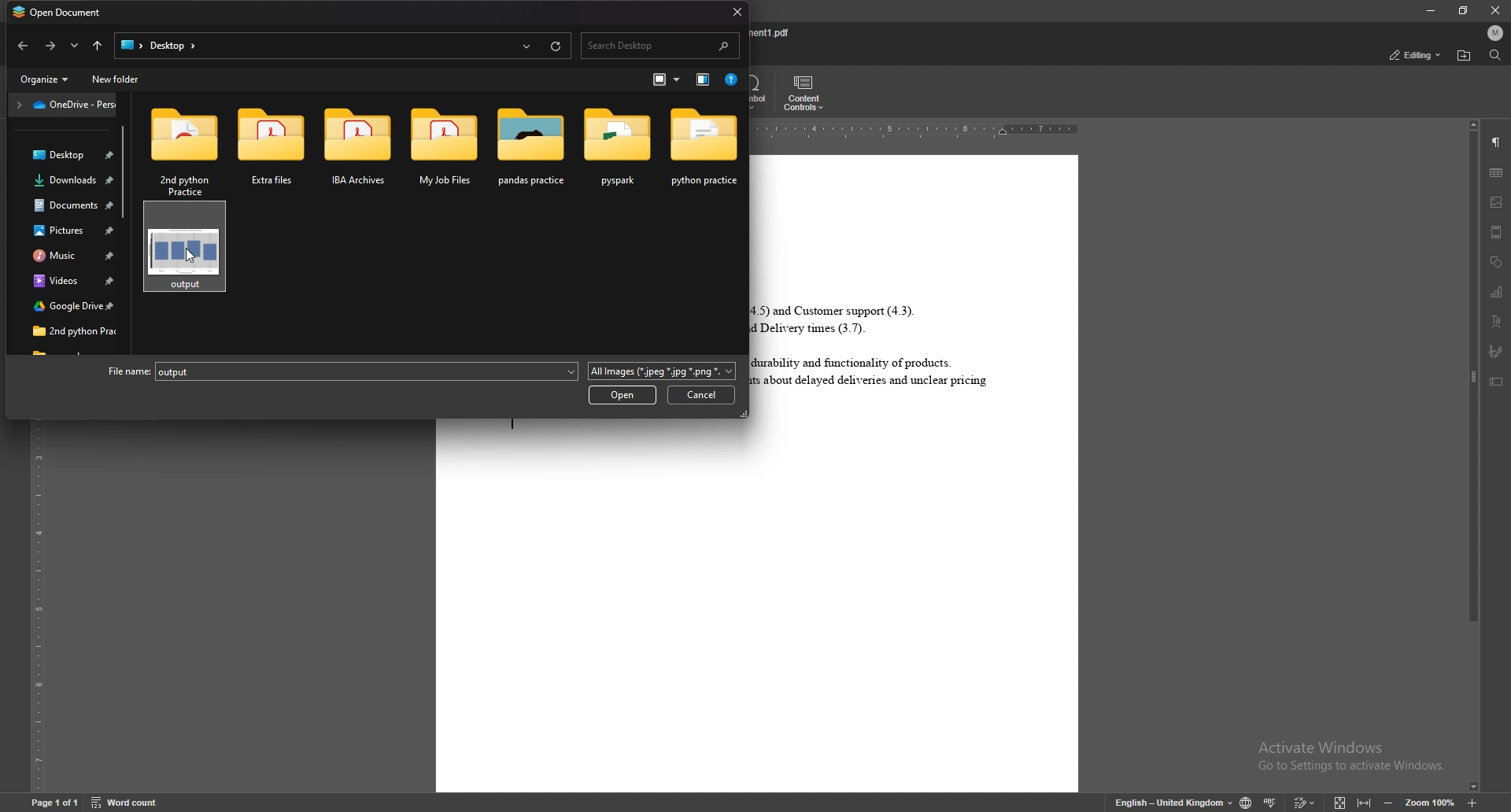 Image resolution: width=1511 pixels, height=812 pixels. I want to click on text box, so click(1496, 382).